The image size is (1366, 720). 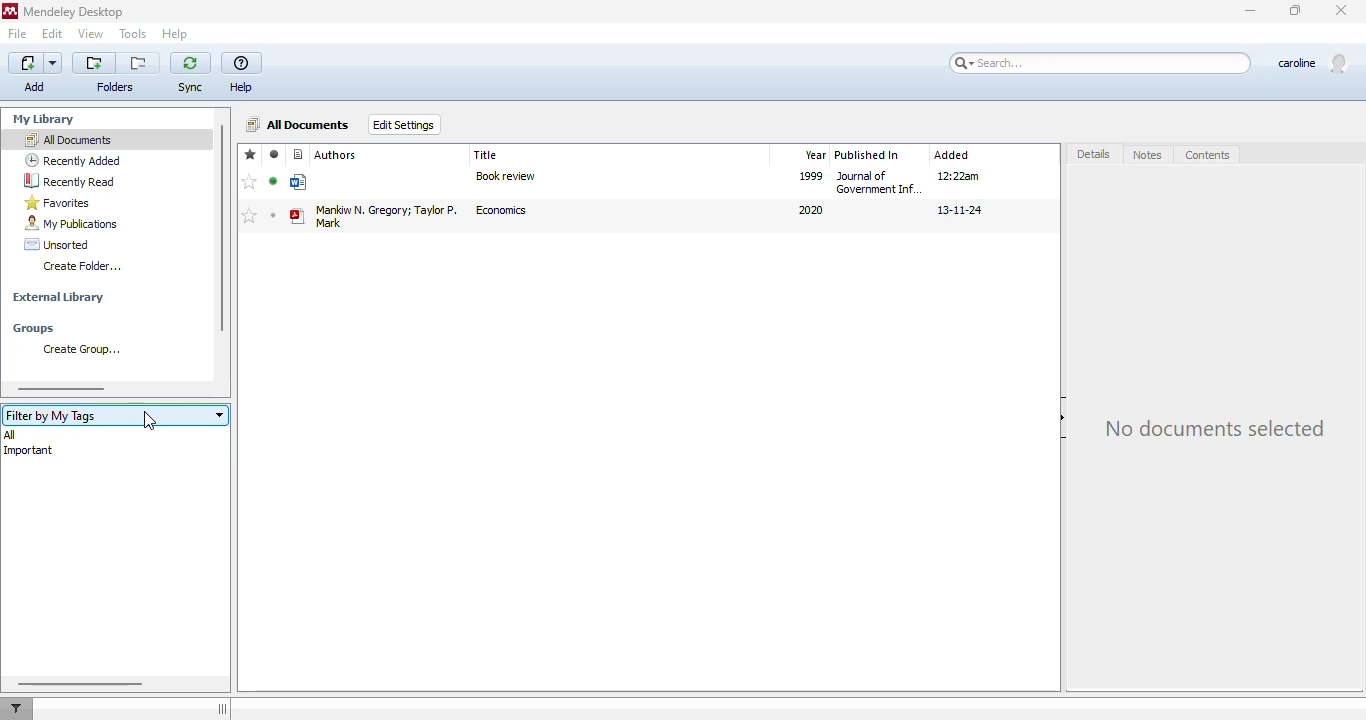 I want to click on create folder, so click(x=82, y=266).